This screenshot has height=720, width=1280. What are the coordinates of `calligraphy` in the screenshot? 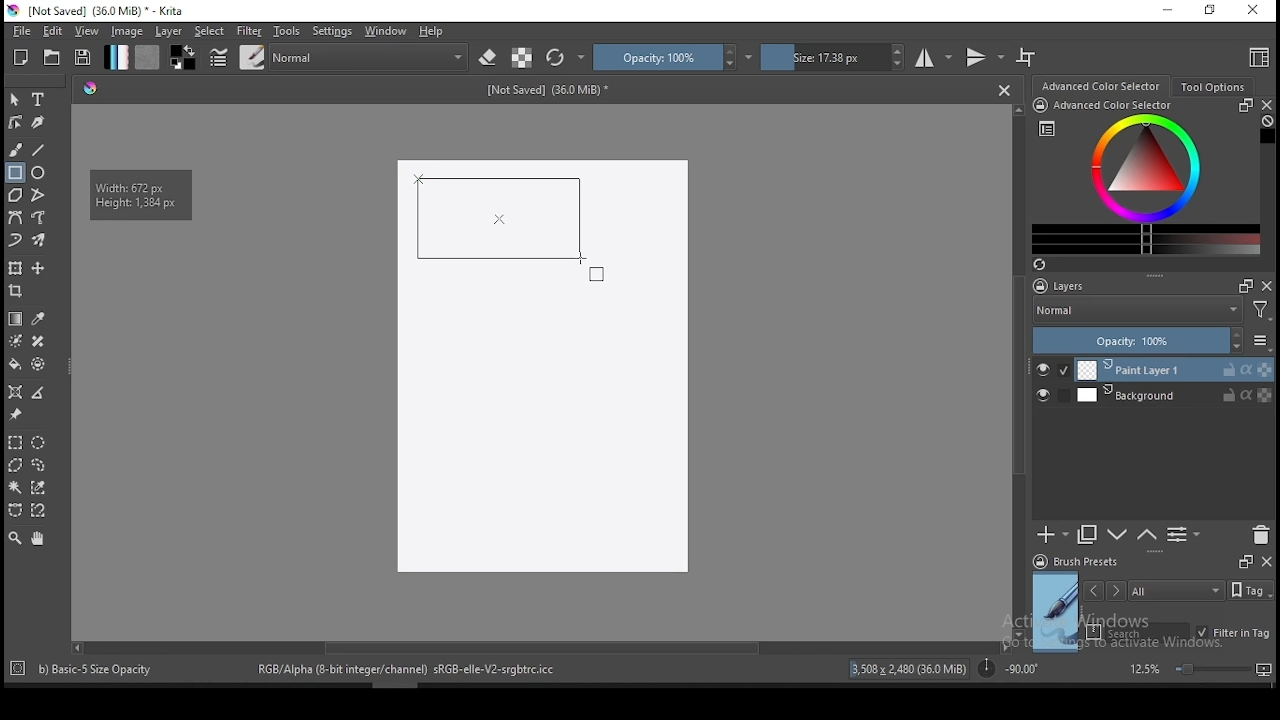 It's located at (39, 121).